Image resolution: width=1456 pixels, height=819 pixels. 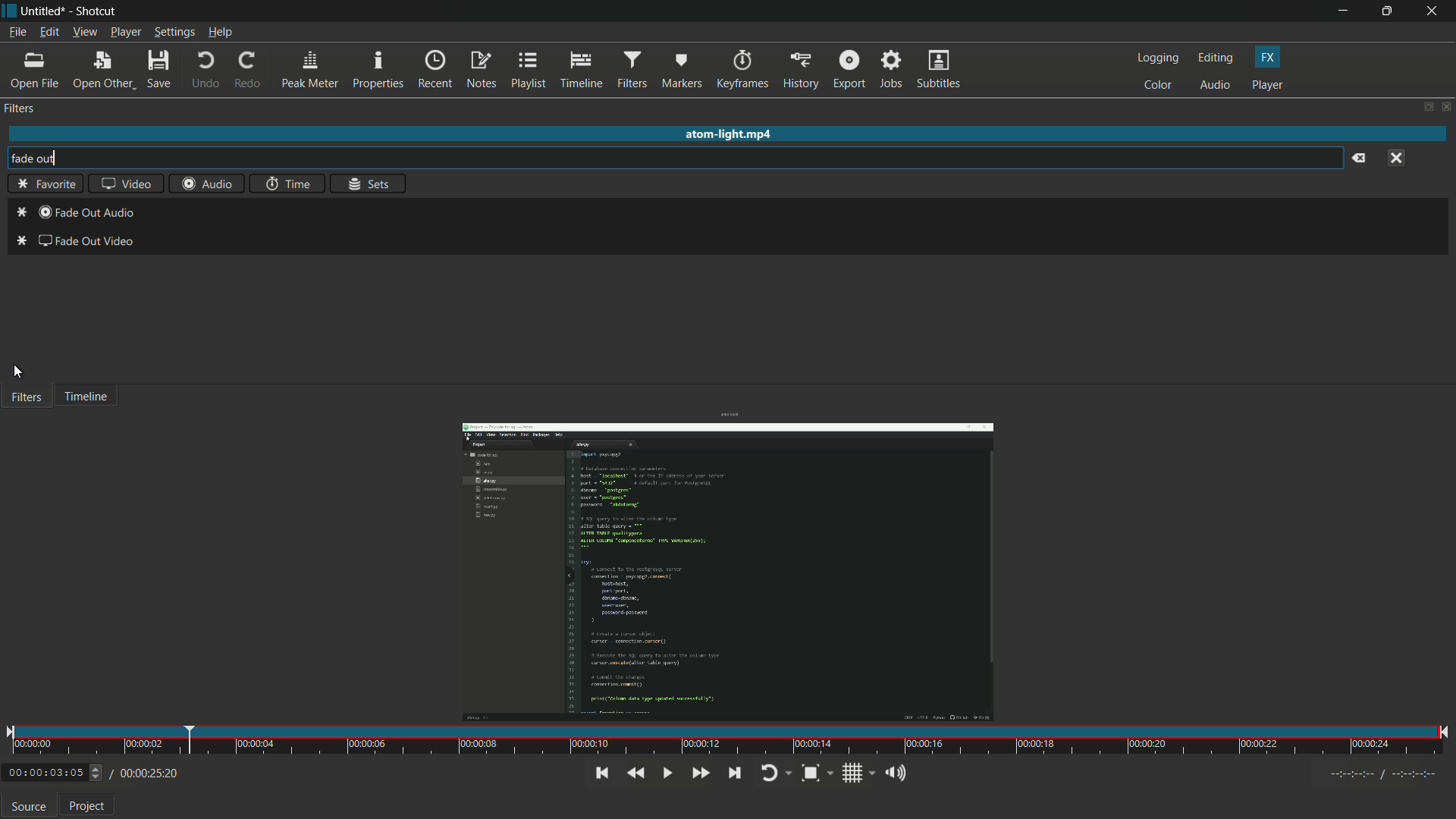 What do you see at coordinates (1434, 11) in the screenshot?
I see `close app` at bounding box center [1434, 11].